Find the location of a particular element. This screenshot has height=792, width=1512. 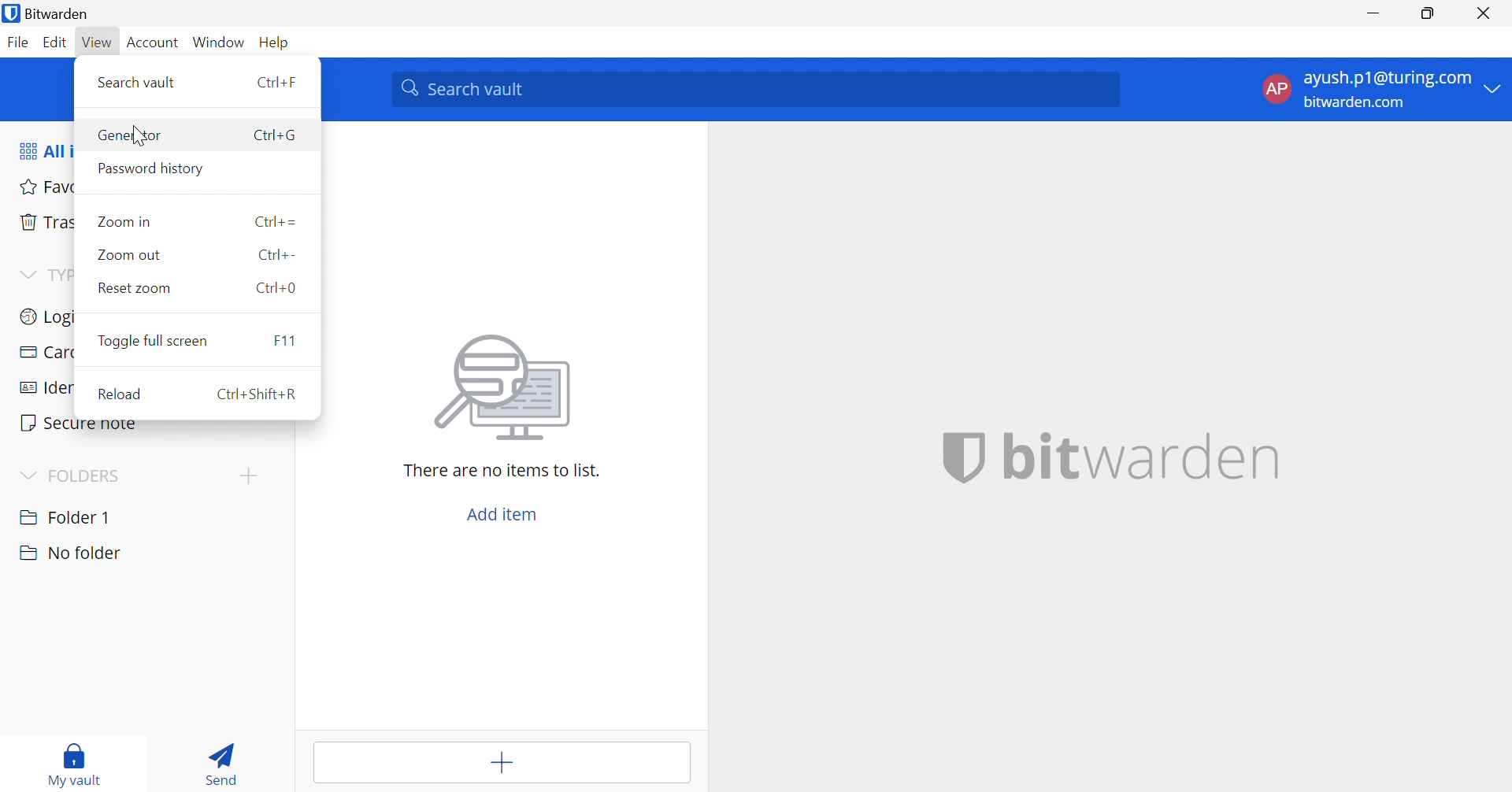

File is located at coordinates (17, 43).